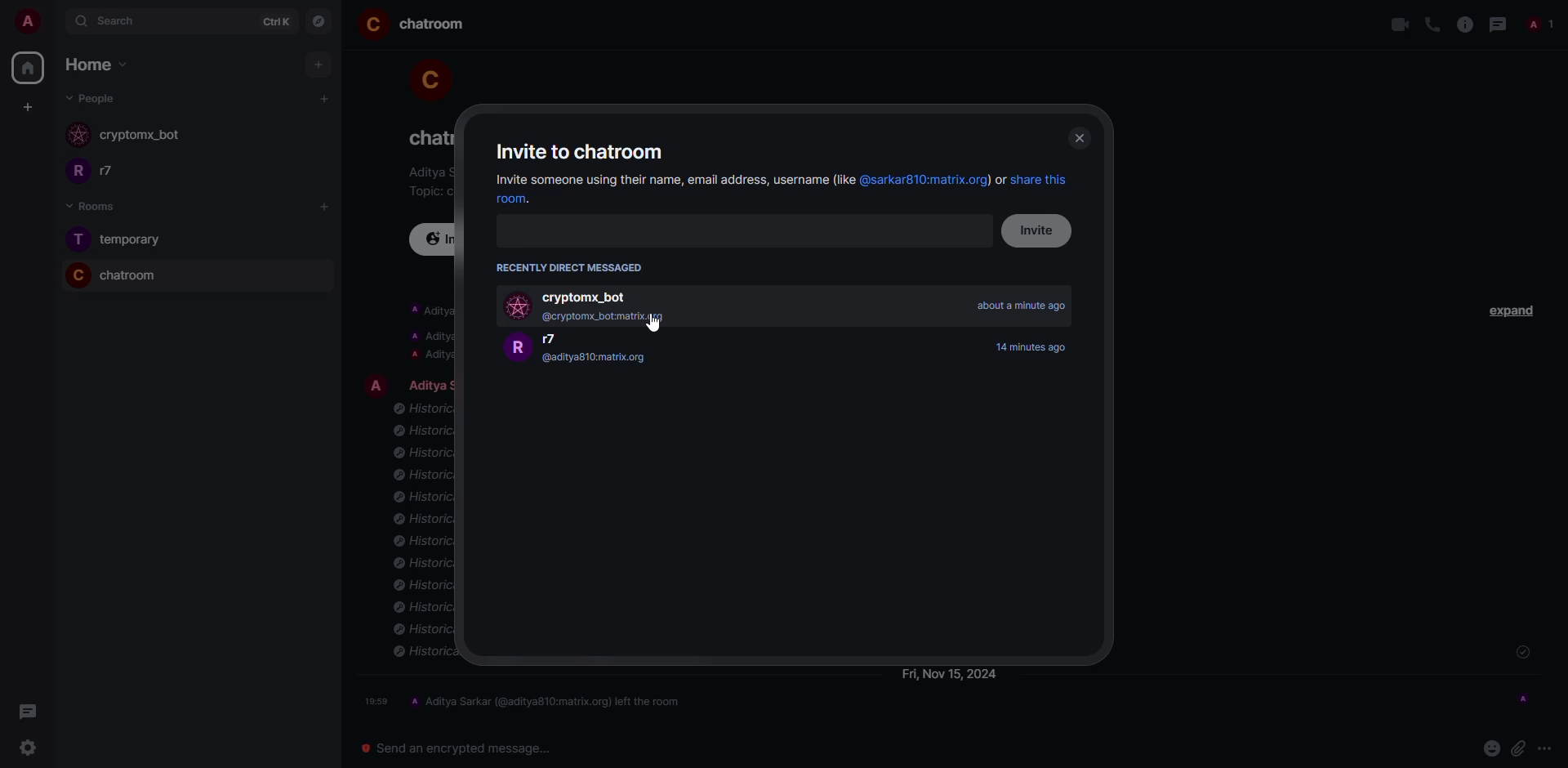 The width and height of the screenshot is (1568, 768). What do you see at coordinates (1497, 25) in the screenshot?
I see `threads` at bounding box center [1497, 25].